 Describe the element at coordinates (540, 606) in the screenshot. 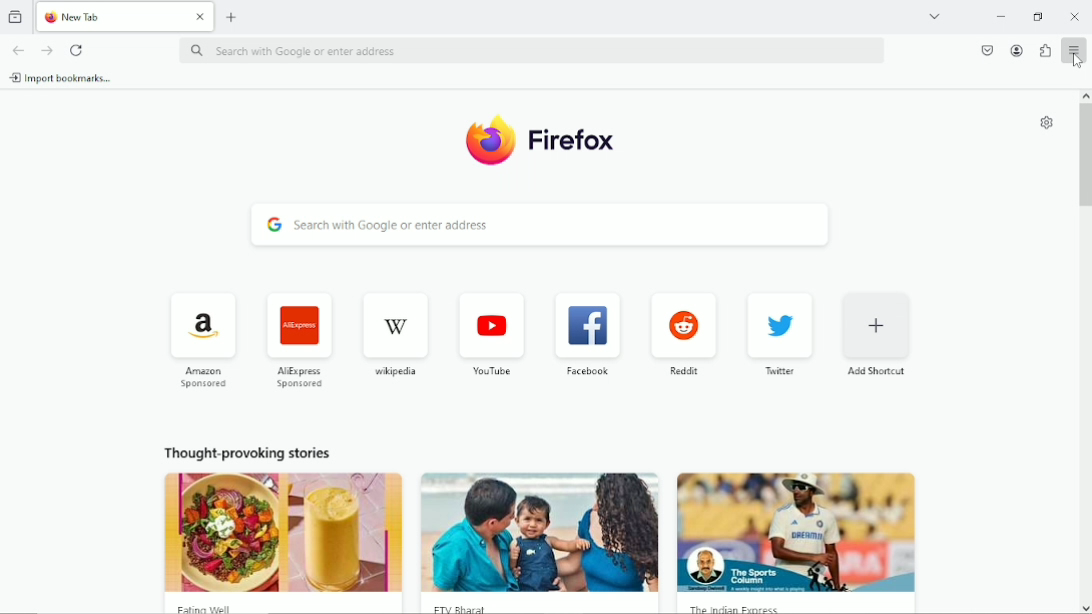

I see `FTV Bharat` at that location.